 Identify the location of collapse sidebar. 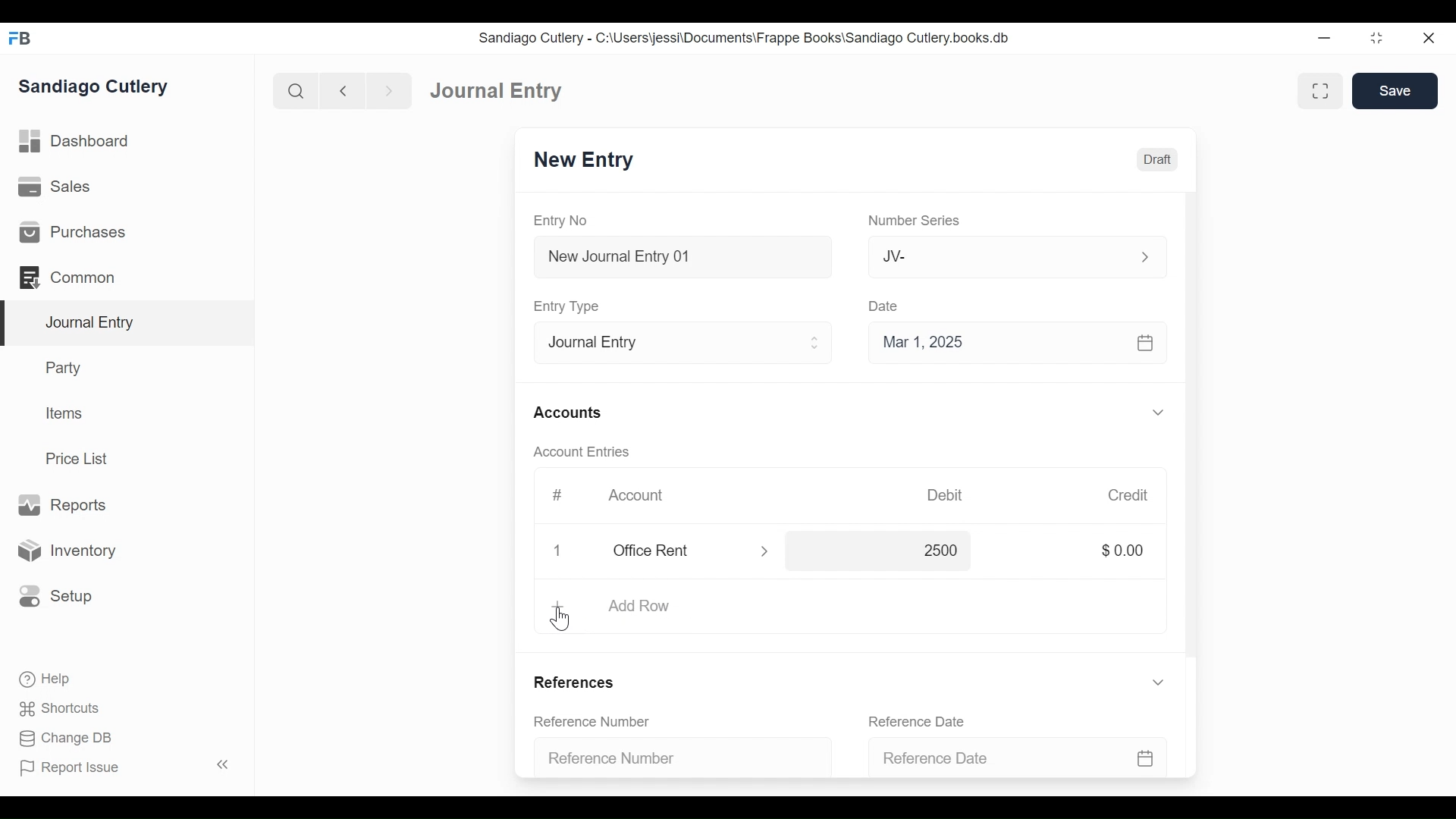
(220, 764).